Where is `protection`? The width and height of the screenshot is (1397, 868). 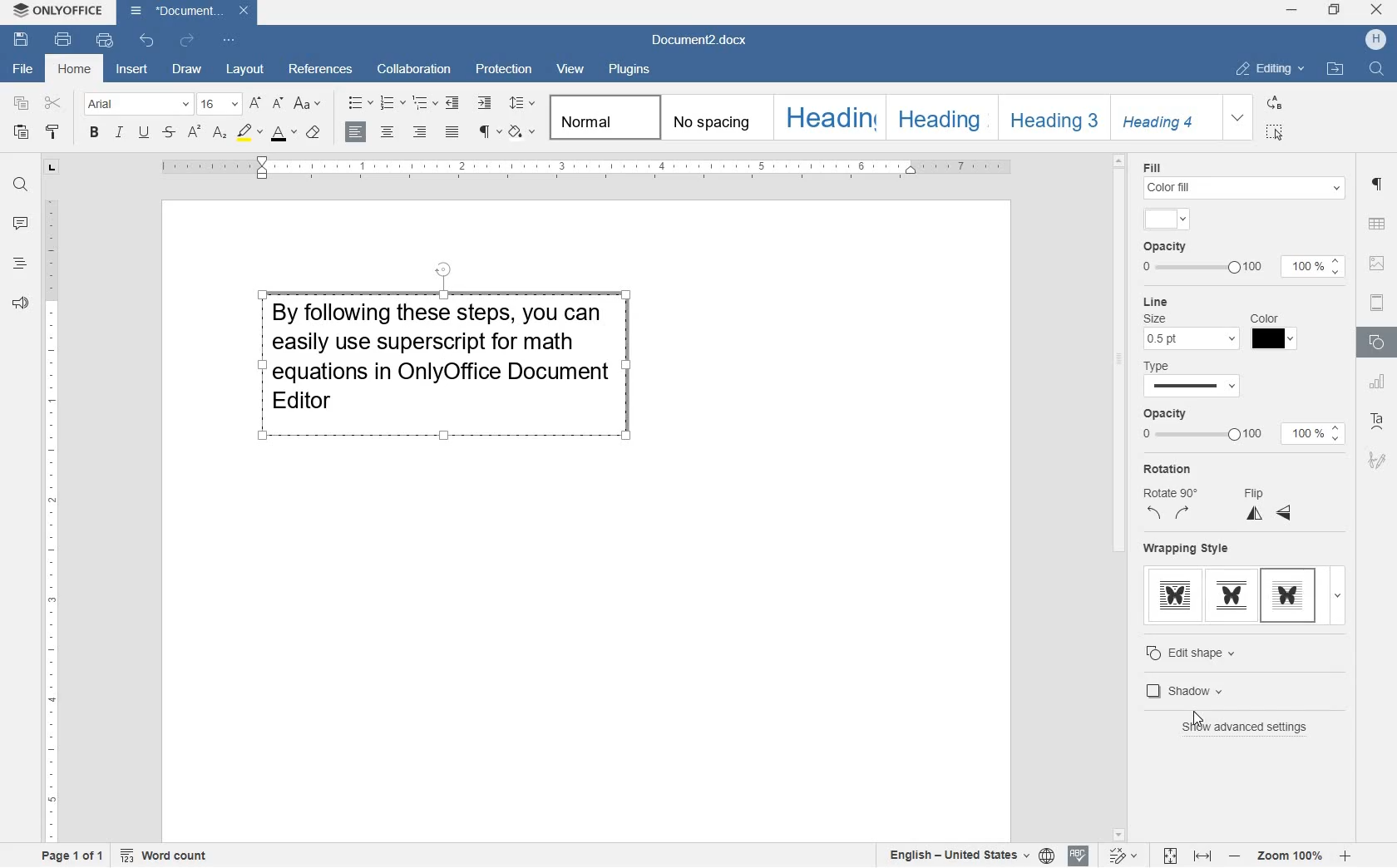 protection is located at coordinates (505, 67).